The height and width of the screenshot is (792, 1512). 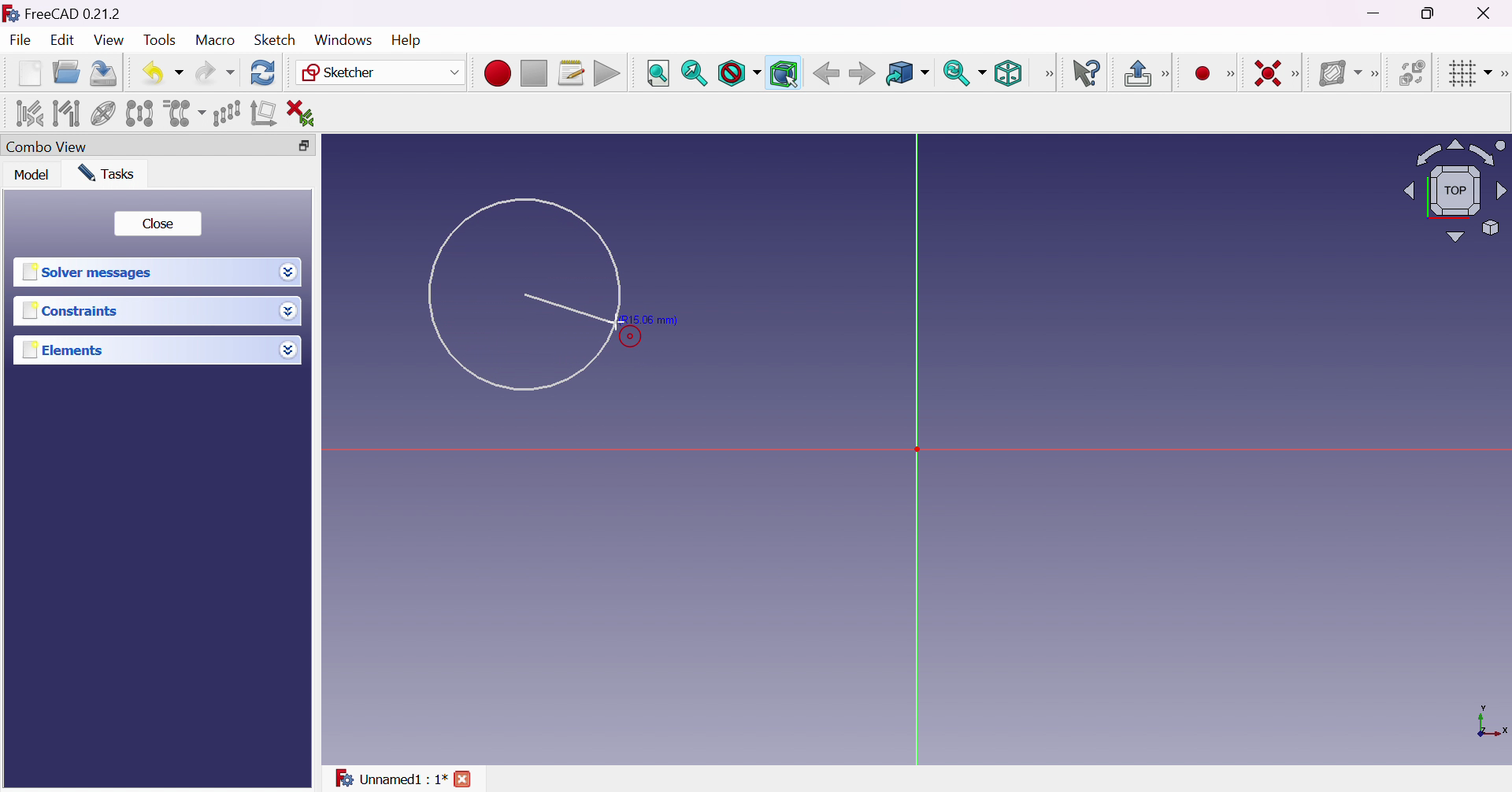 What do you see at coordinates (87, 272) in the screenshot?
I see `Solver messages` at bounding box center [87, 272].